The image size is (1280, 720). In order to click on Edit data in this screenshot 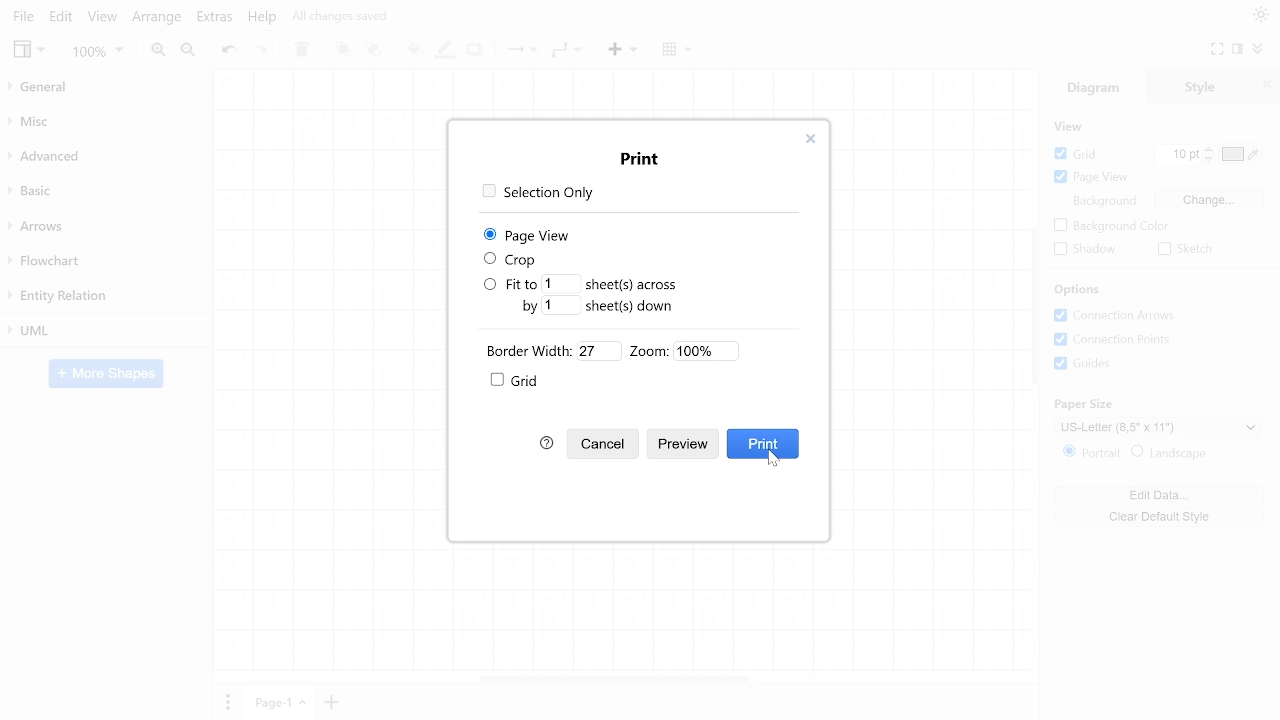, I will do `click(1167, 494)`.